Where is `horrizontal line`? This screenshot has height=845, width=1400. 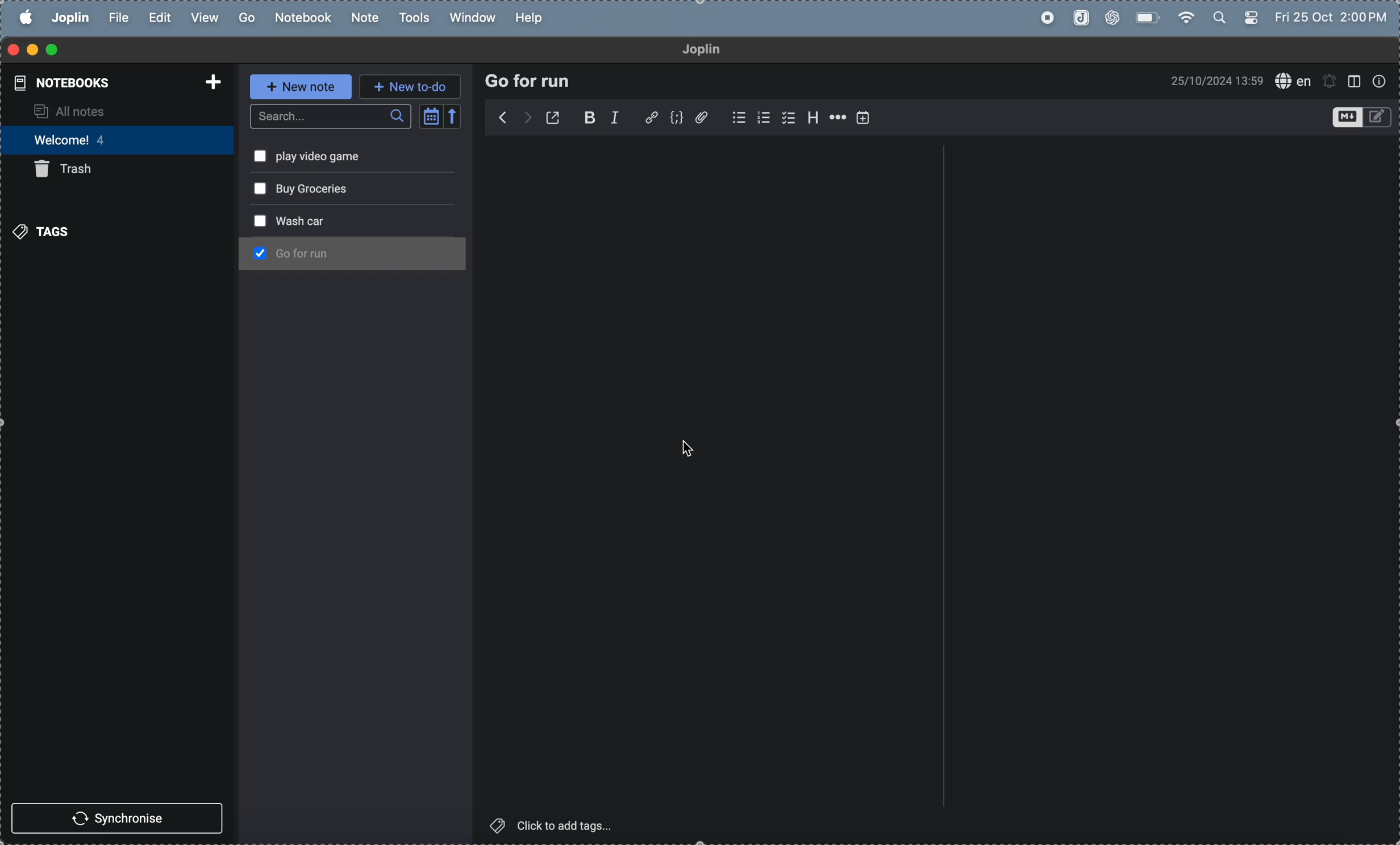 horrizontal line is located at coordinates (837, 115).